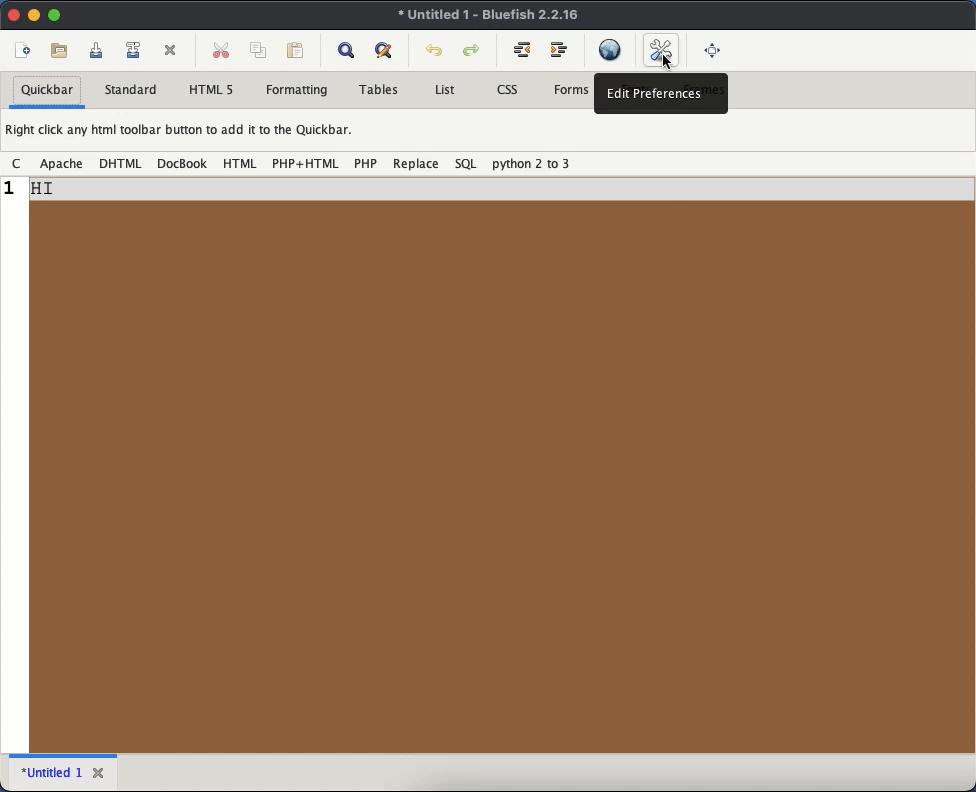 The width and height of the screenshot is (976, 792). Describe the element at coordinates (98, 50) in the screenshot. I see `save current file` at that location.